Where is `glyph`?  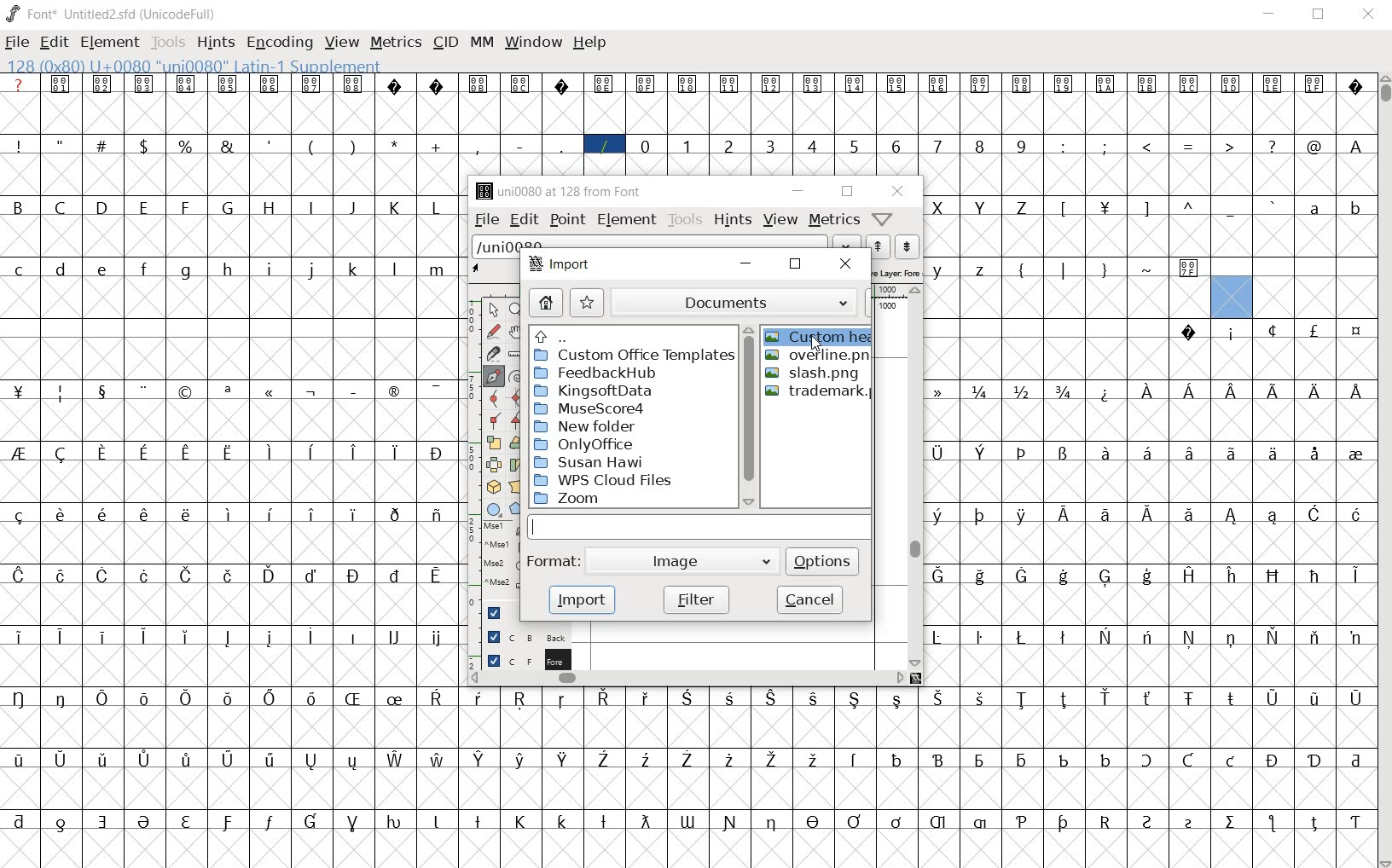 glyph is located at coordinates (1273, 699).